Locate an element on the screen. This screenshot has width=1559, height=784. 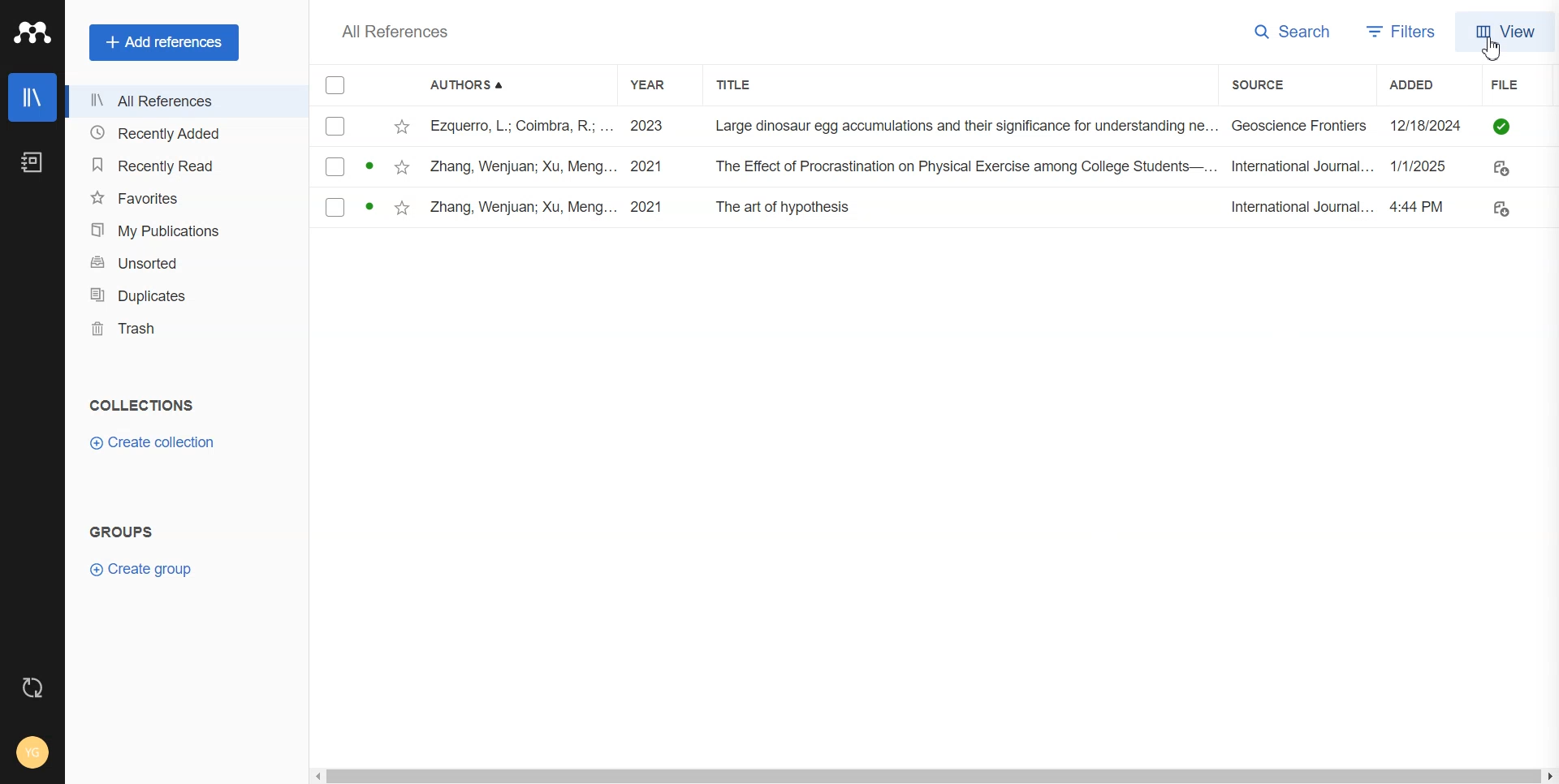
Cursor is located at coordinates (1492, 49).